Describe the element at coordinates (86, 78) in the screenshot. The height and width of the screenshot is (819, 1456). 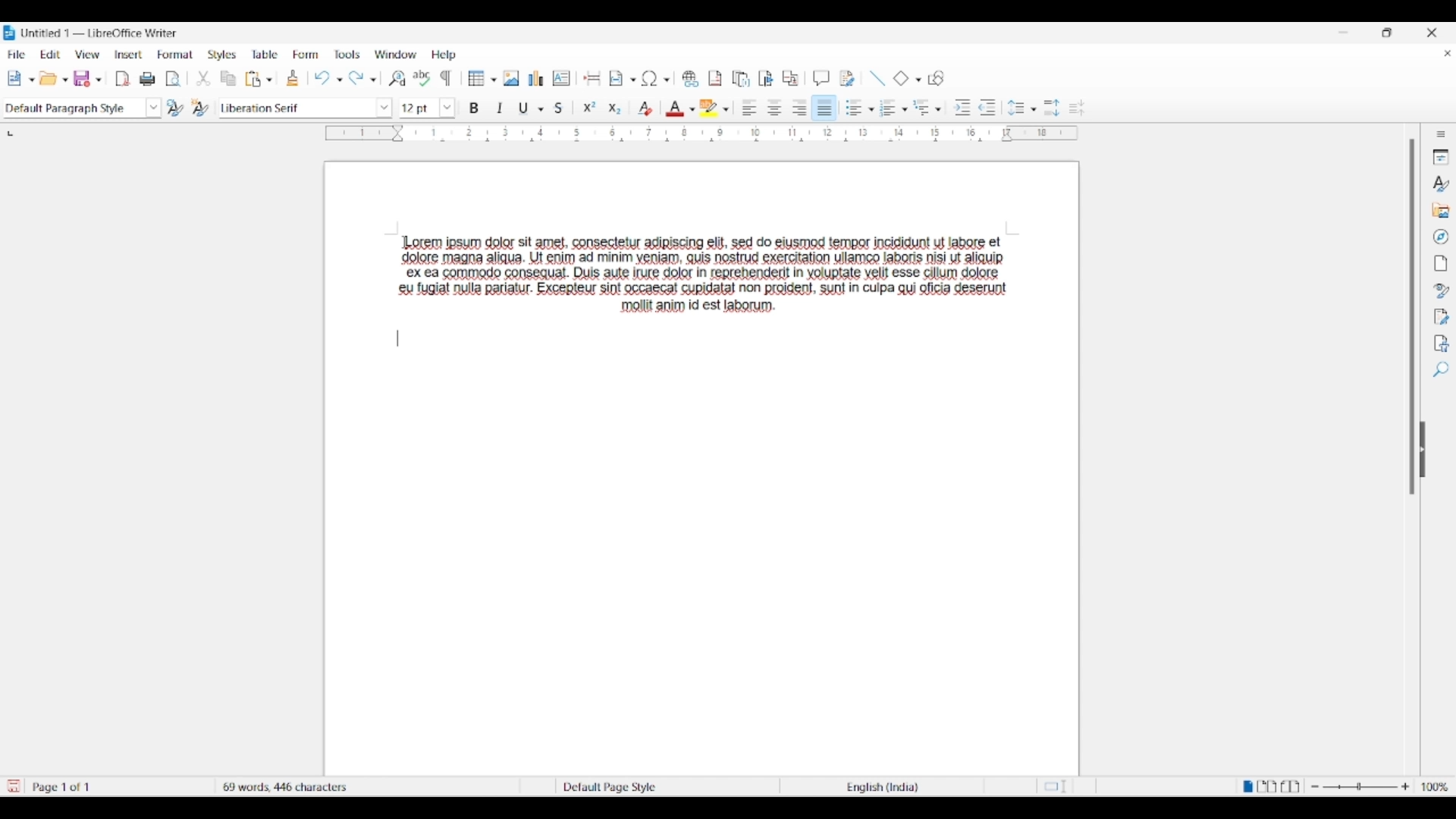
I see `Selected save option` at that location.